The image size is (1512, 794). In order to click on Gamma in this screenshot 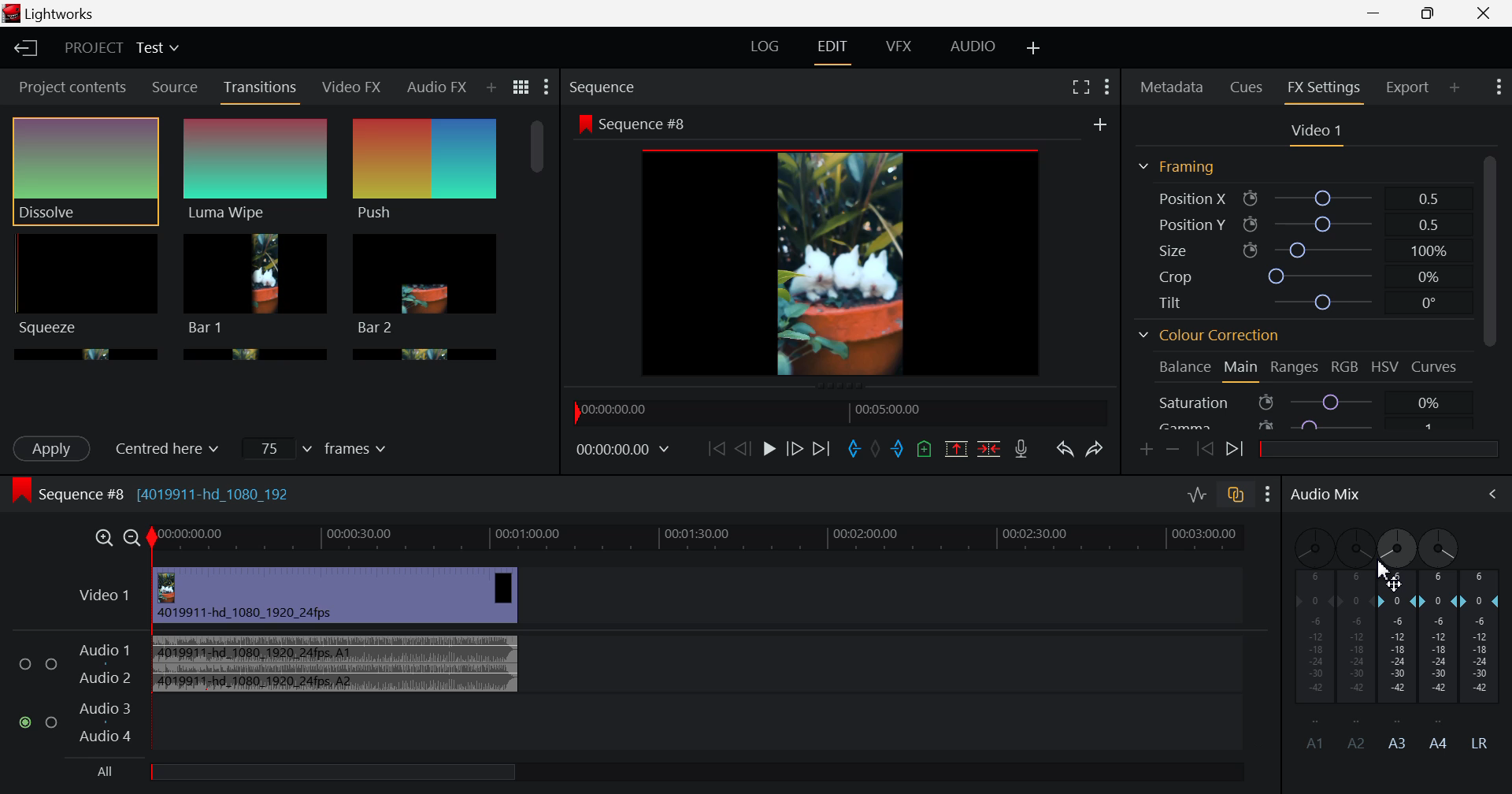, I will do `click(1305, 425)`.